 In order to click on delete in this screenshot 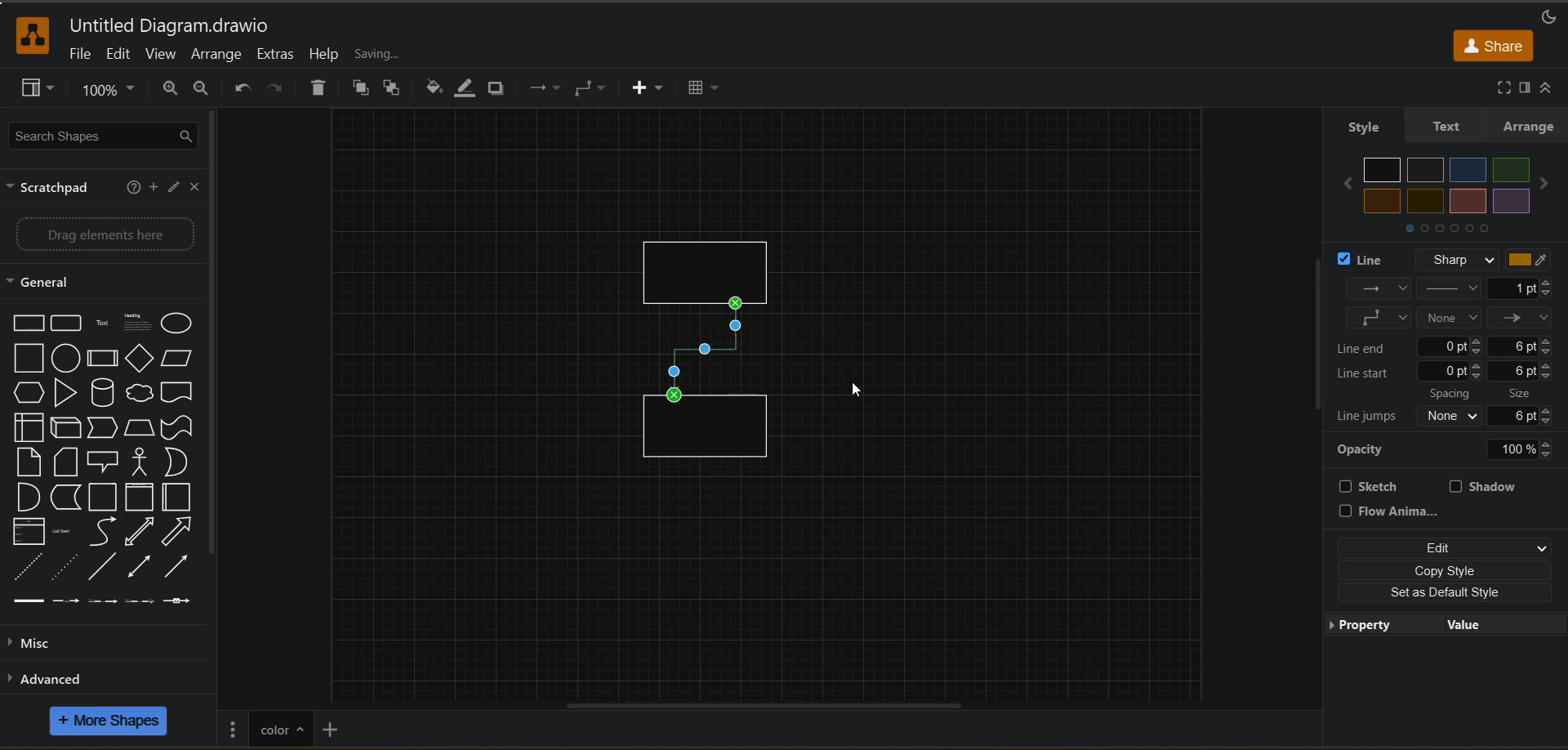, I will do `click(322, 90)`.